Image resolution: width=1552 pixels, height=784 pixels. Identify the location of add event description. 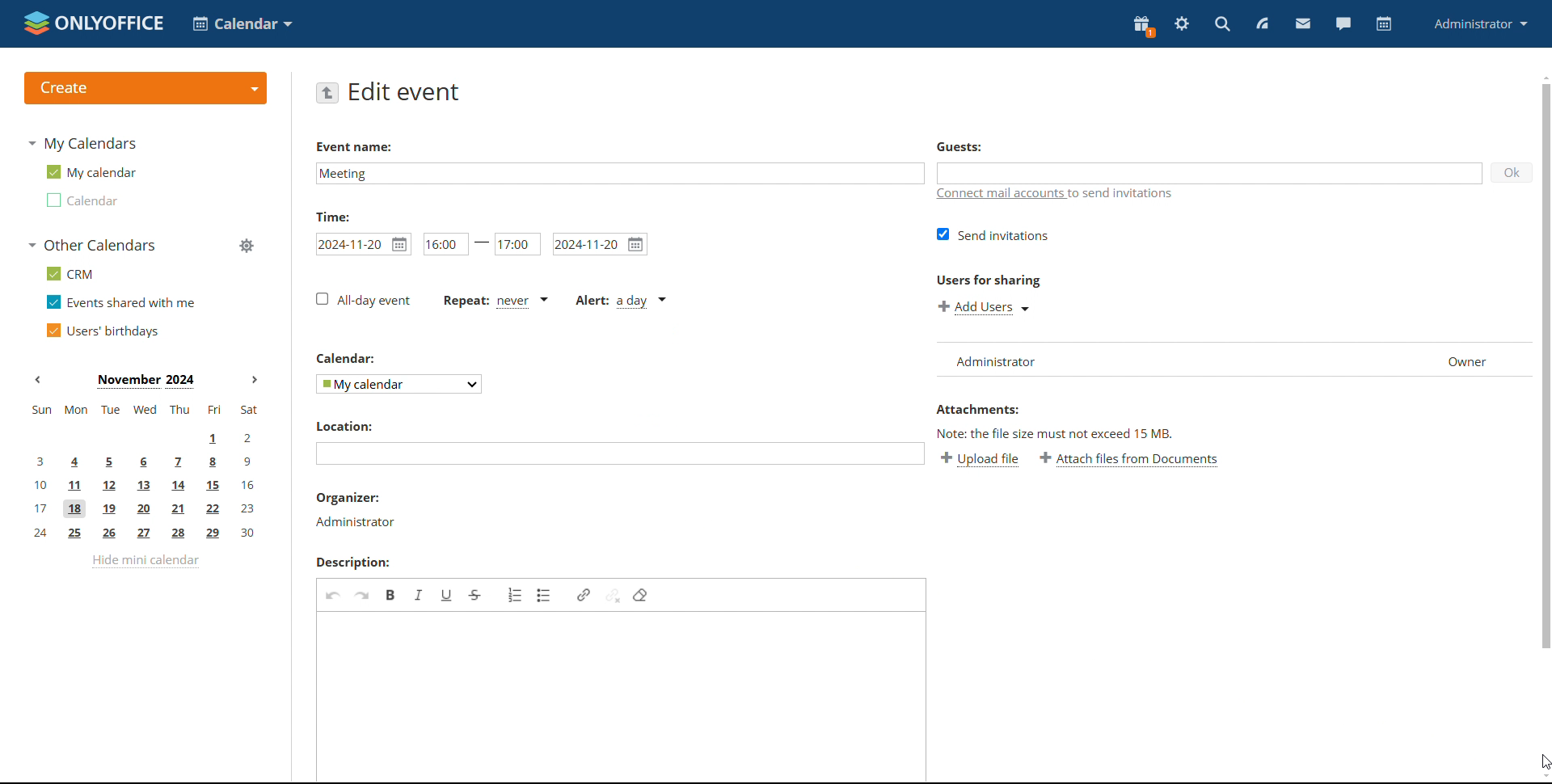
(624, 697).